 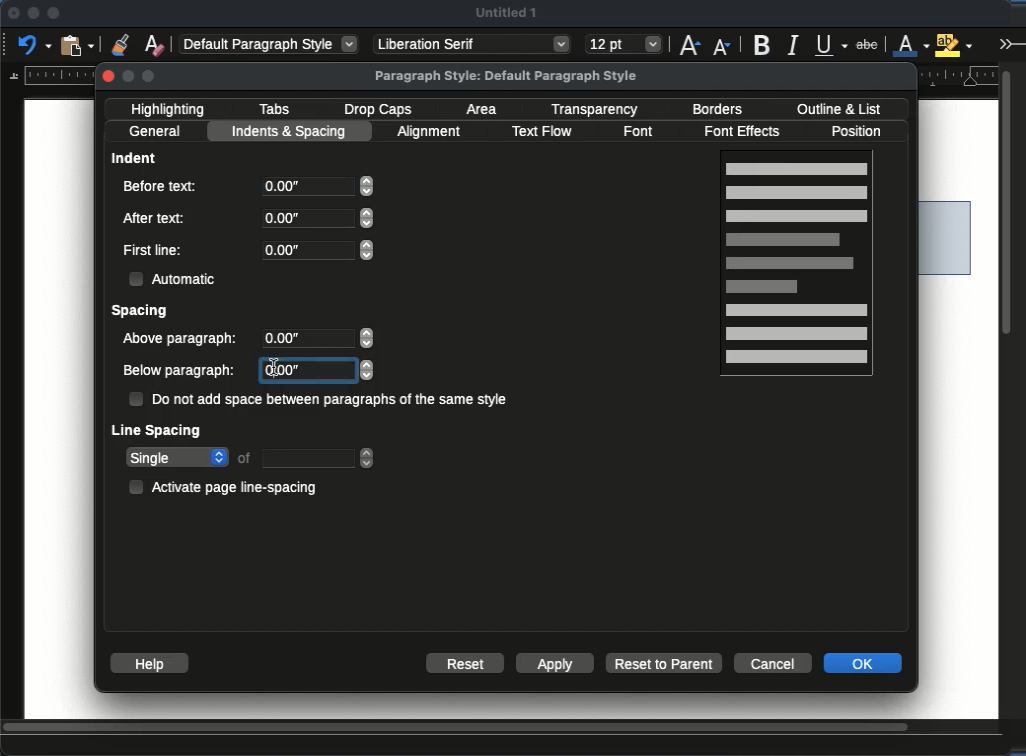 What do you see at coordinates (158, 433) in the screenshot?
I see `line spacing` at bounding box center [158, 433].